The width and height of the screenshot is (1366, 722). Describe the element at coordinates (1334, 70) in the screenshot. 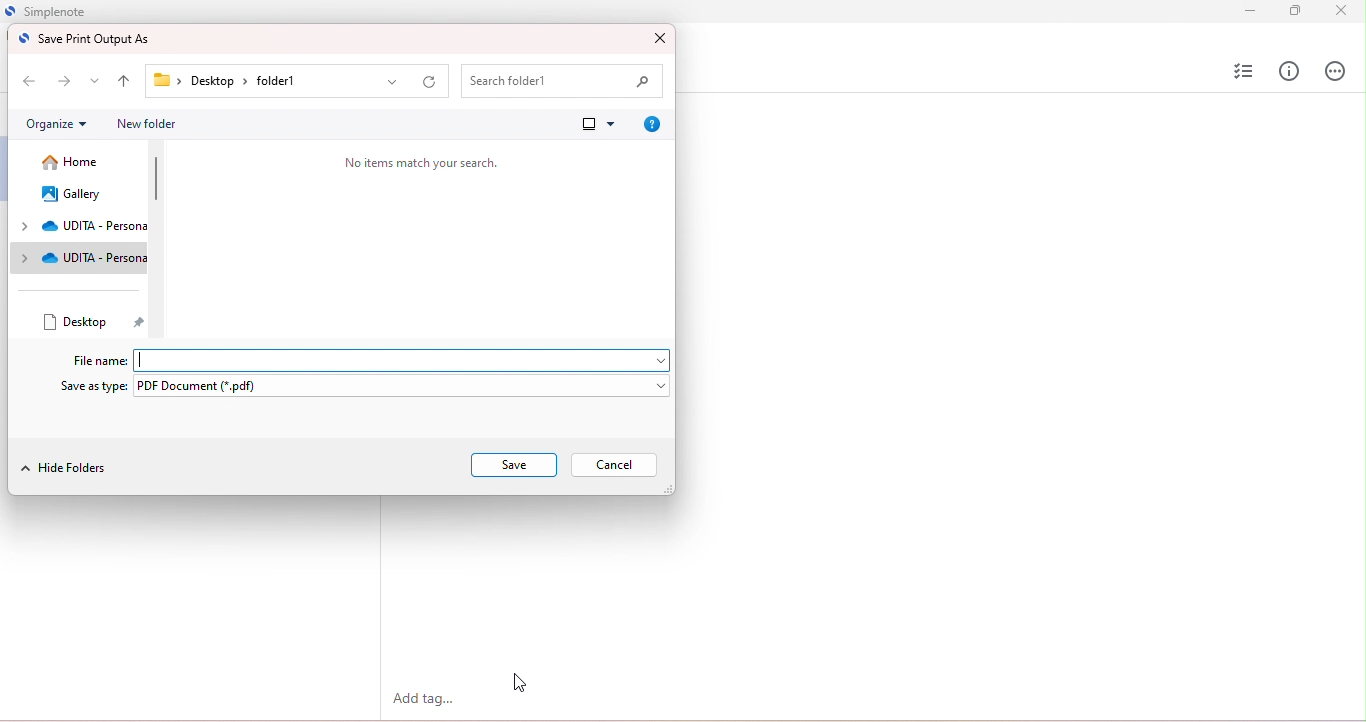

I see `actions` at that location.